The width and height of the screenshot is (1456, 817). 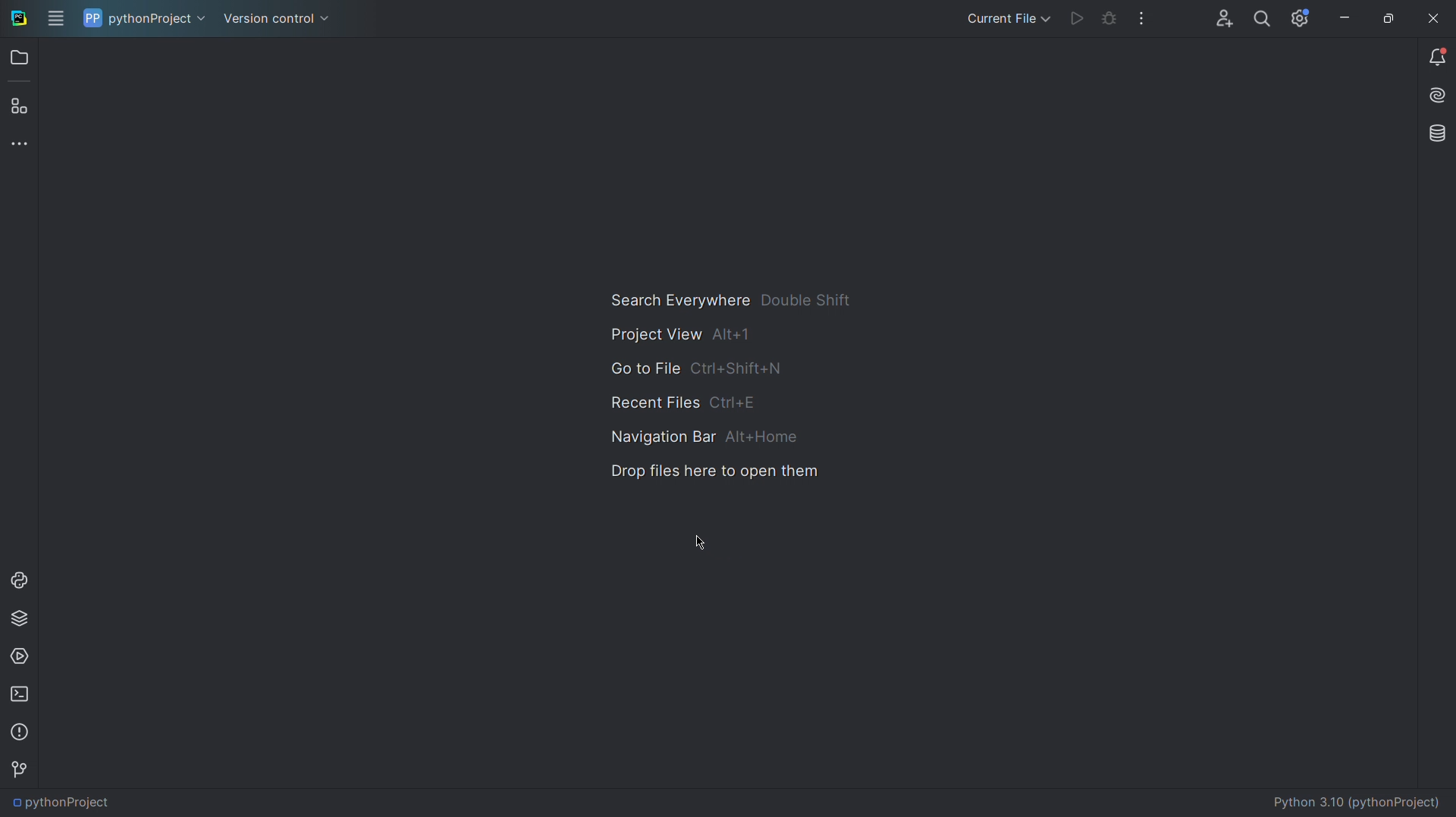 I want to click on Database, so click(x=1435, y=136).